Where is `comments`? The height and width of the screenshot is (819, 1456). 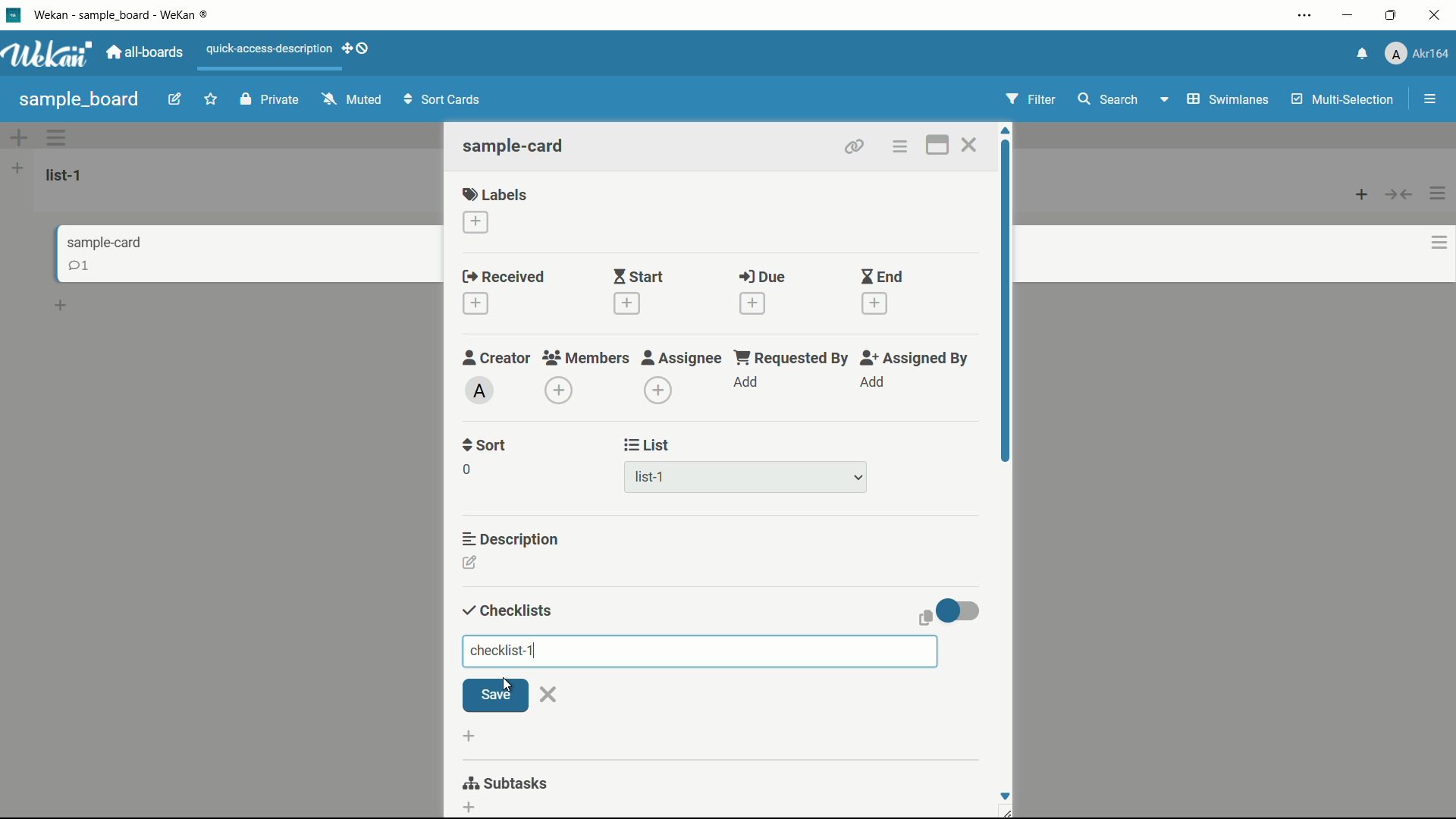 comments is located at coordinates (77, 267).